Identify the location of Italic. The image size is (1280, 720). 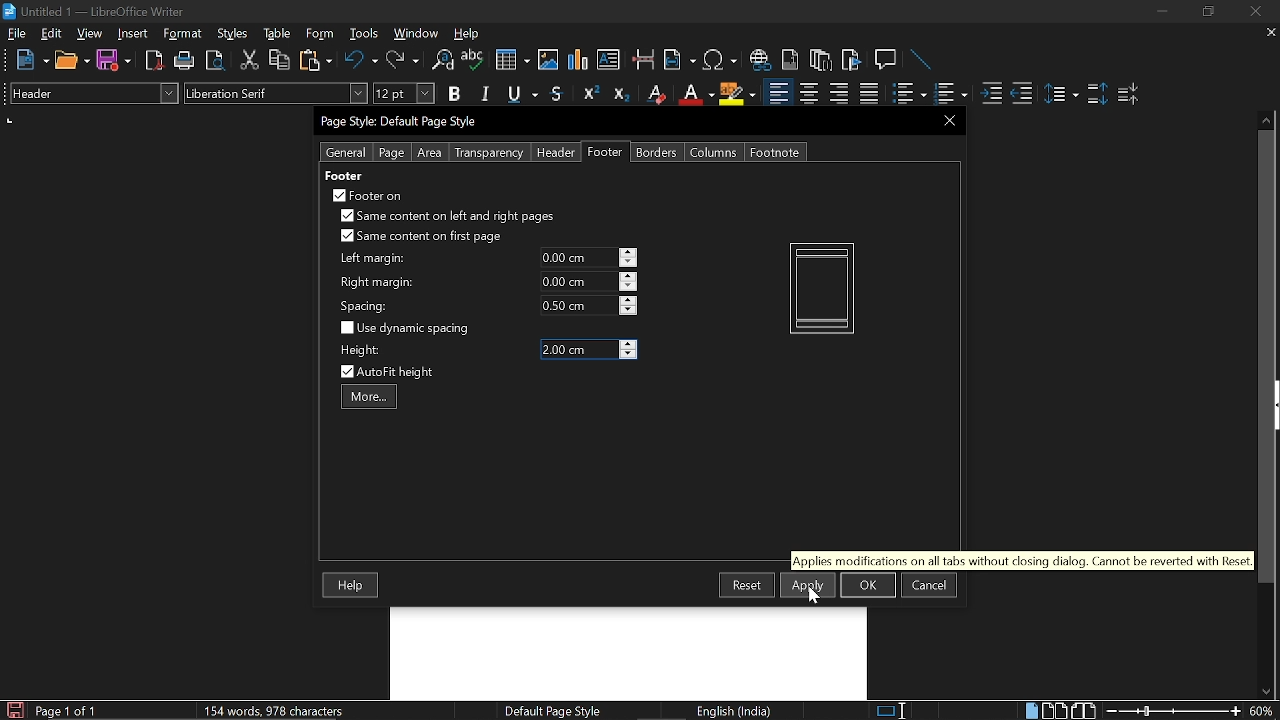
(486, 94).